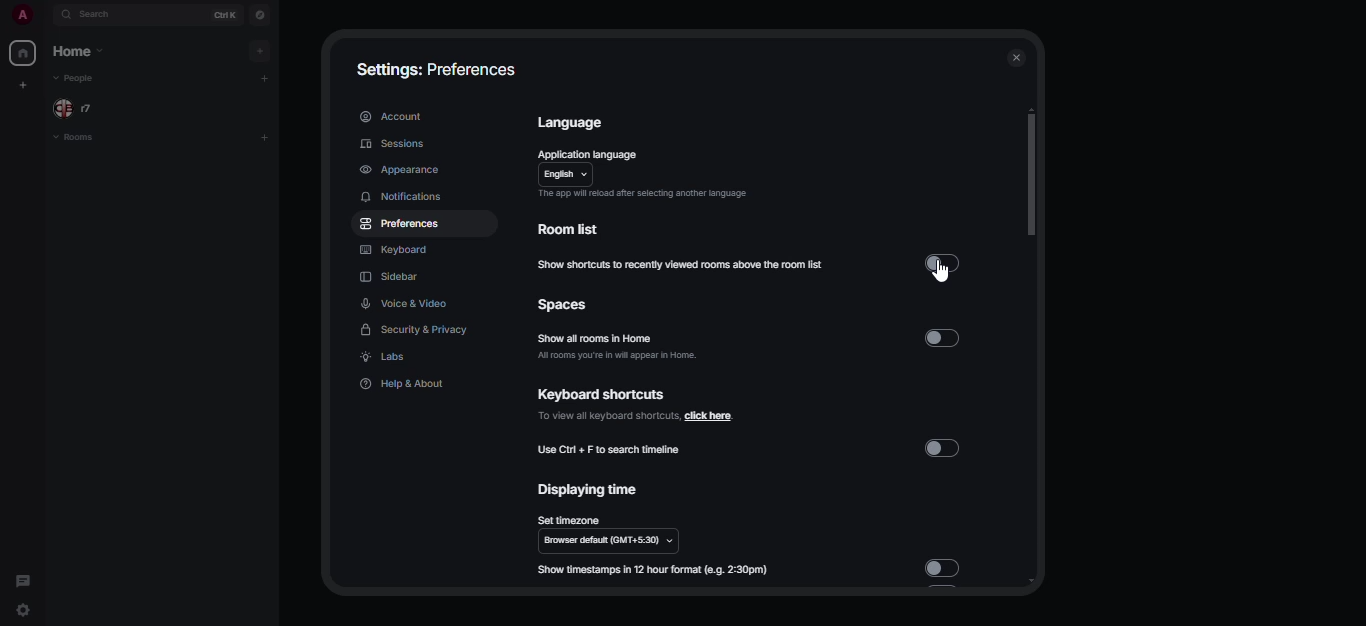 The width and height of the screenshot is (1366, 626). I want to click on use ctrl+F to search timeline, so click(606, 449).